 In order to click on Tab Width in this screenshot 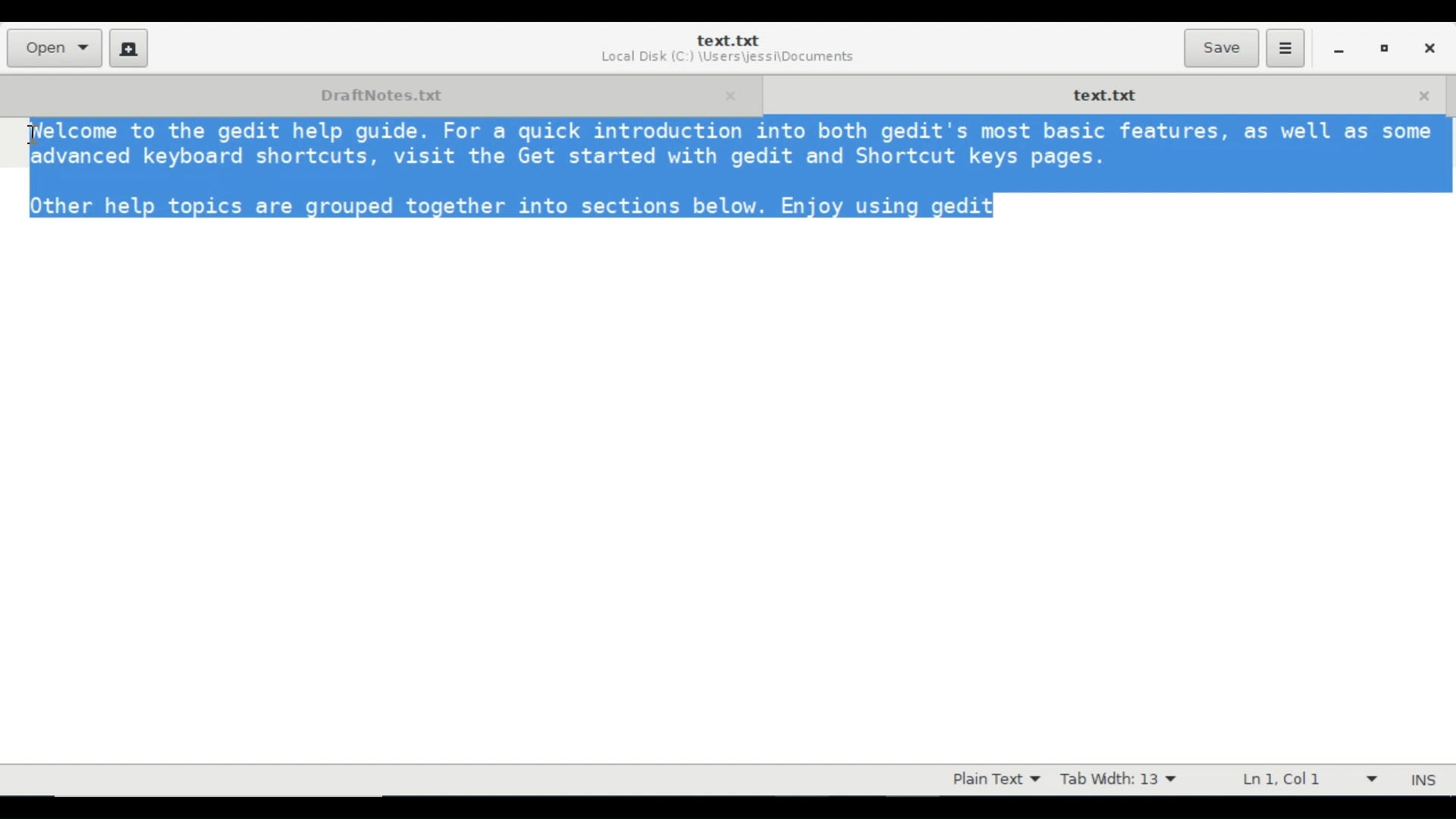, I will do `click(1118, 780)`.